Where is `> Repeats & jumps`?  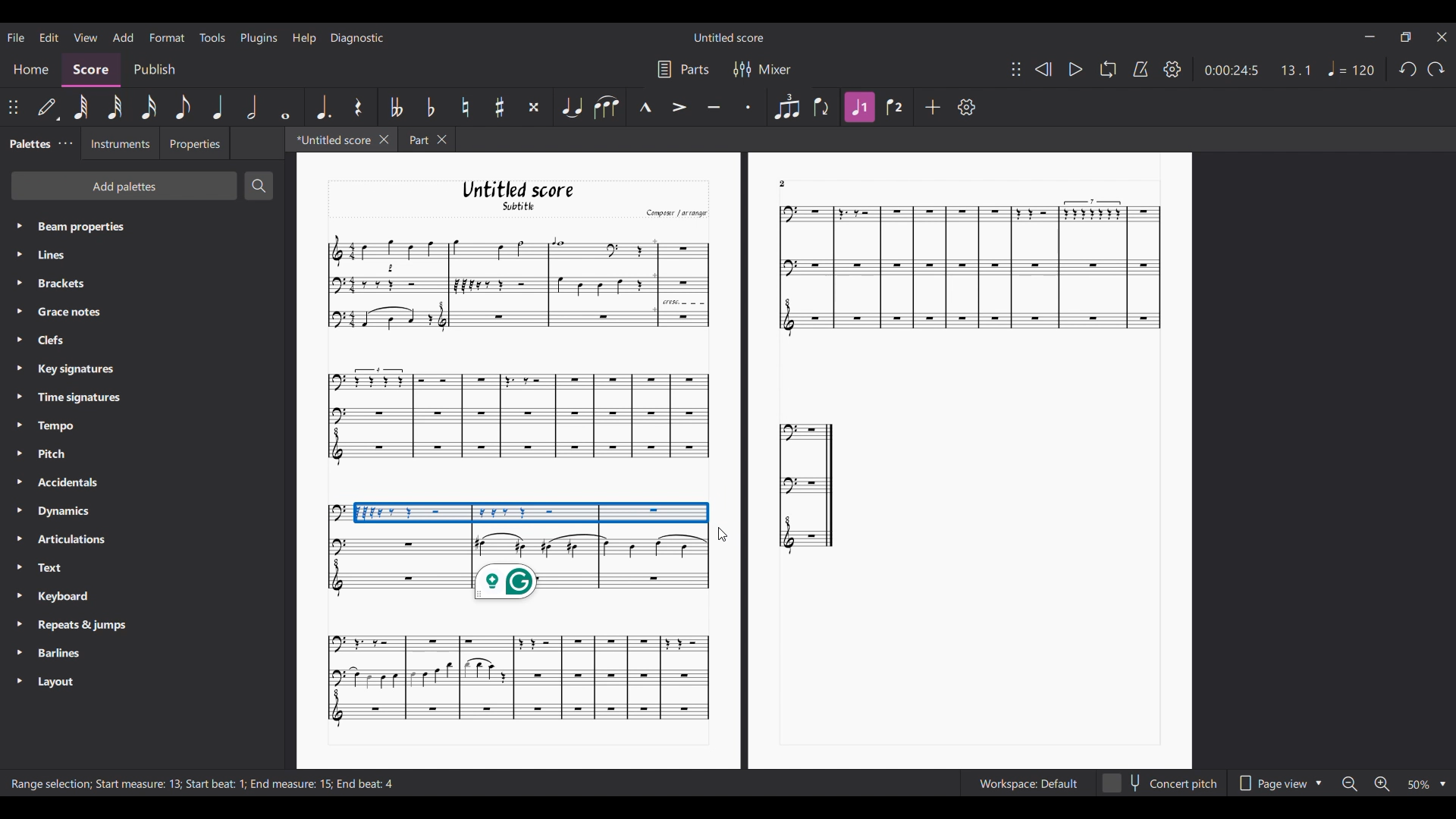
> Repeats & jumps is located at coordinates (74, 626).